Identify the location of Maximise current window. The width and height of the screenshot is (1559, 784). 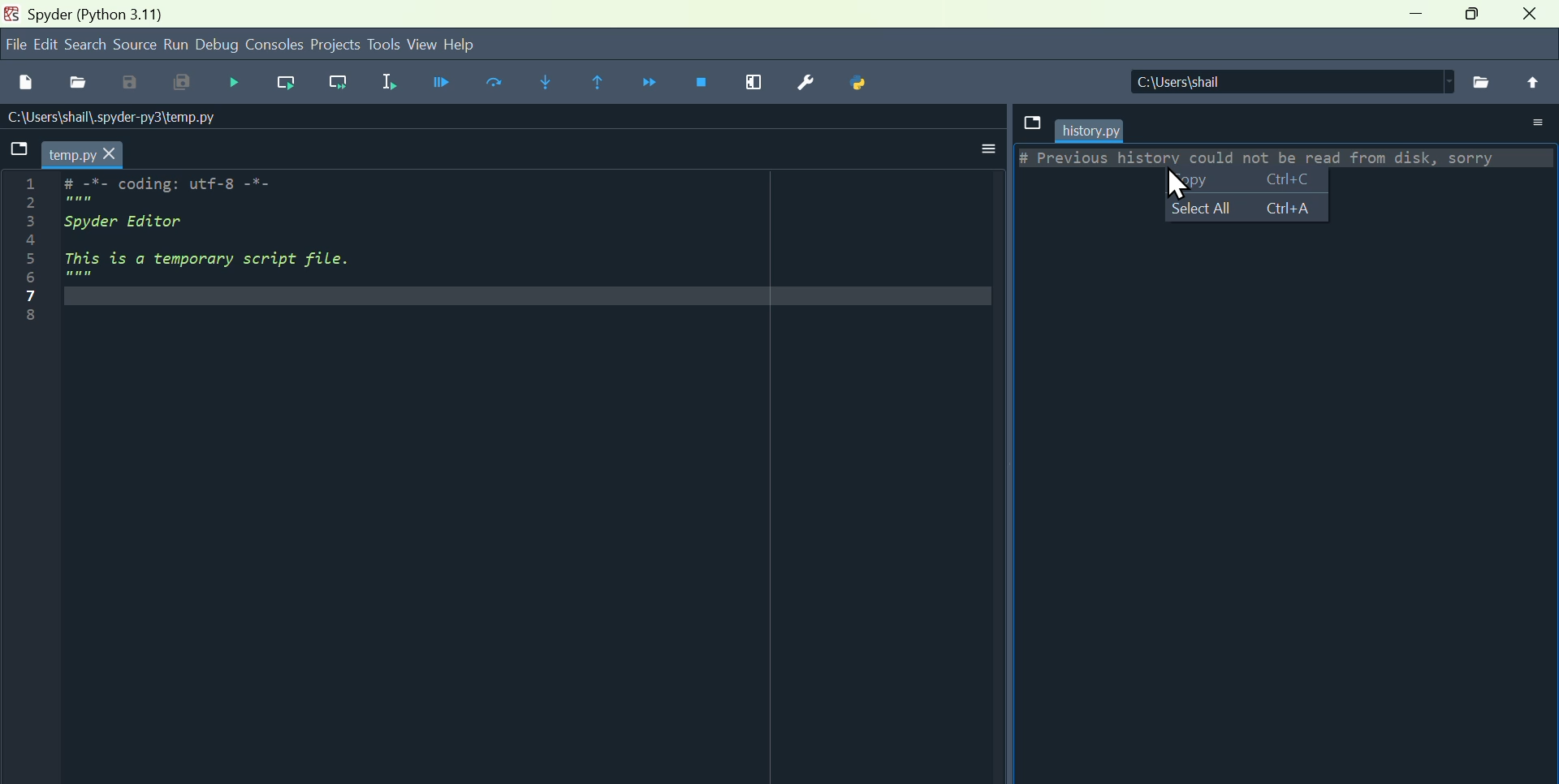
(755, 83).